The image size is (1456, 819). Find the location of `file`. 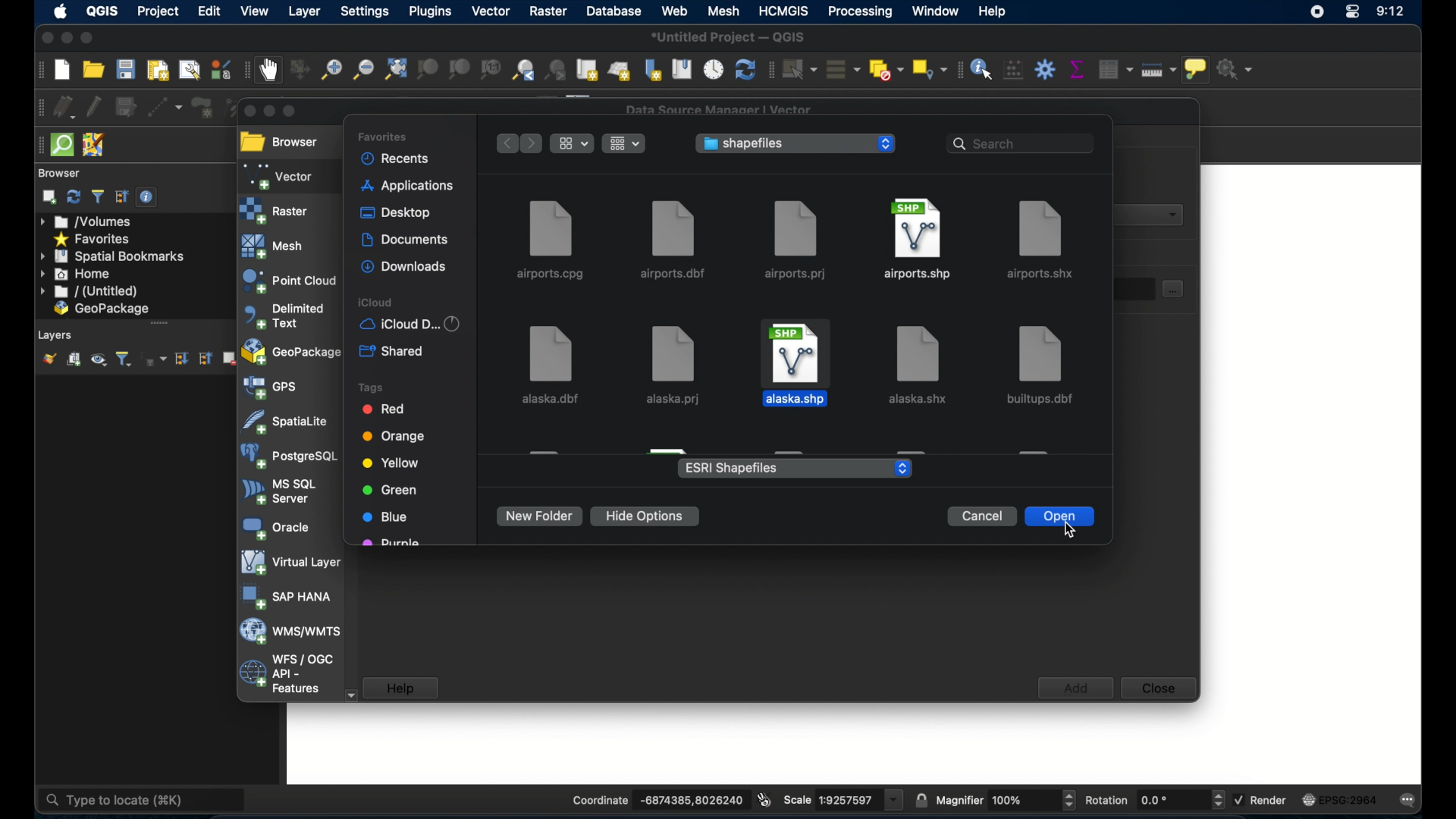

file is located at coordinates (1040, 366).